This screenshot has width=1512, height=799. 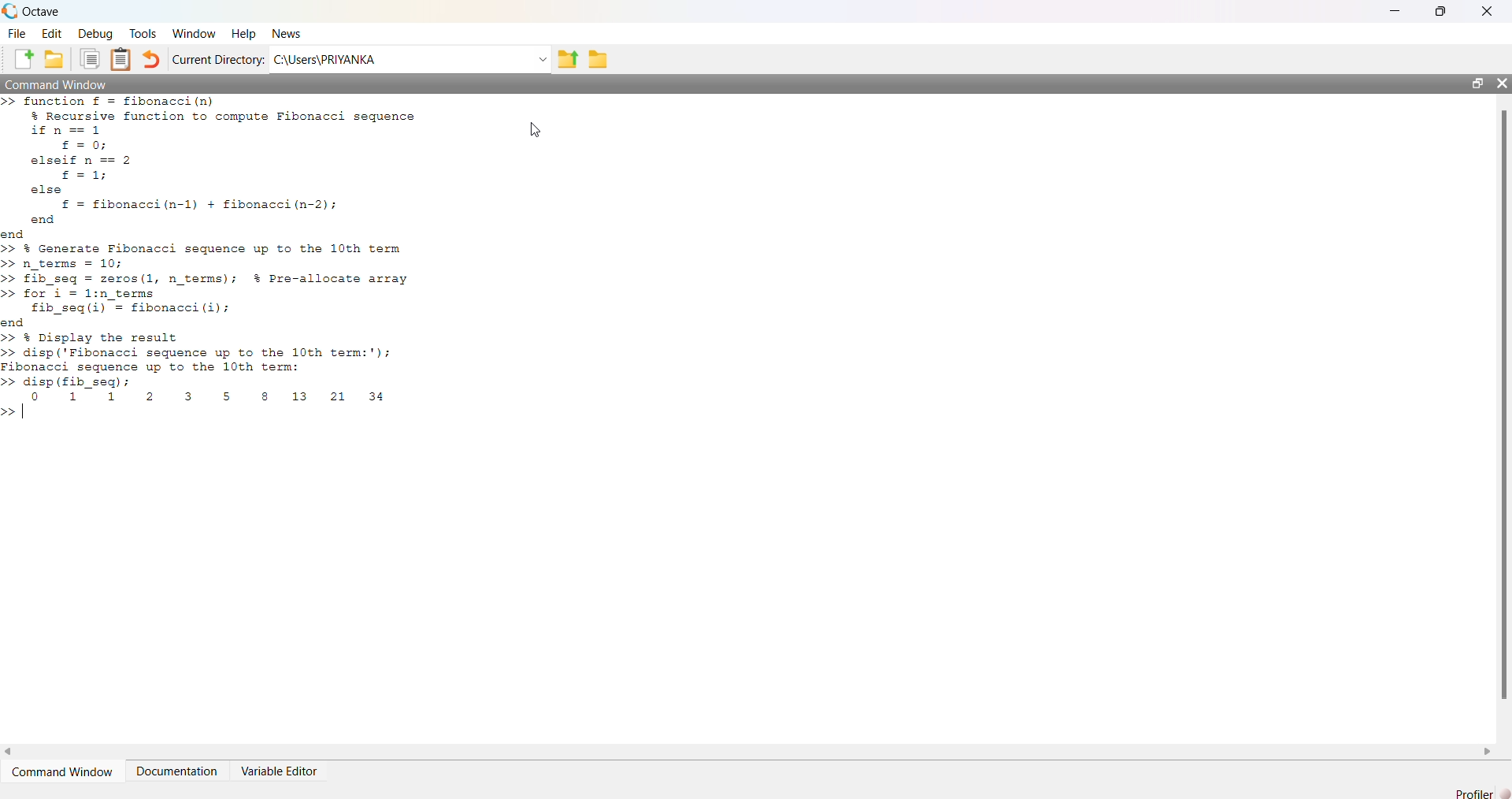 What do you see at coordinates (54, 59) in the screenshot?
I see `save` at bounding box center [54, 59].